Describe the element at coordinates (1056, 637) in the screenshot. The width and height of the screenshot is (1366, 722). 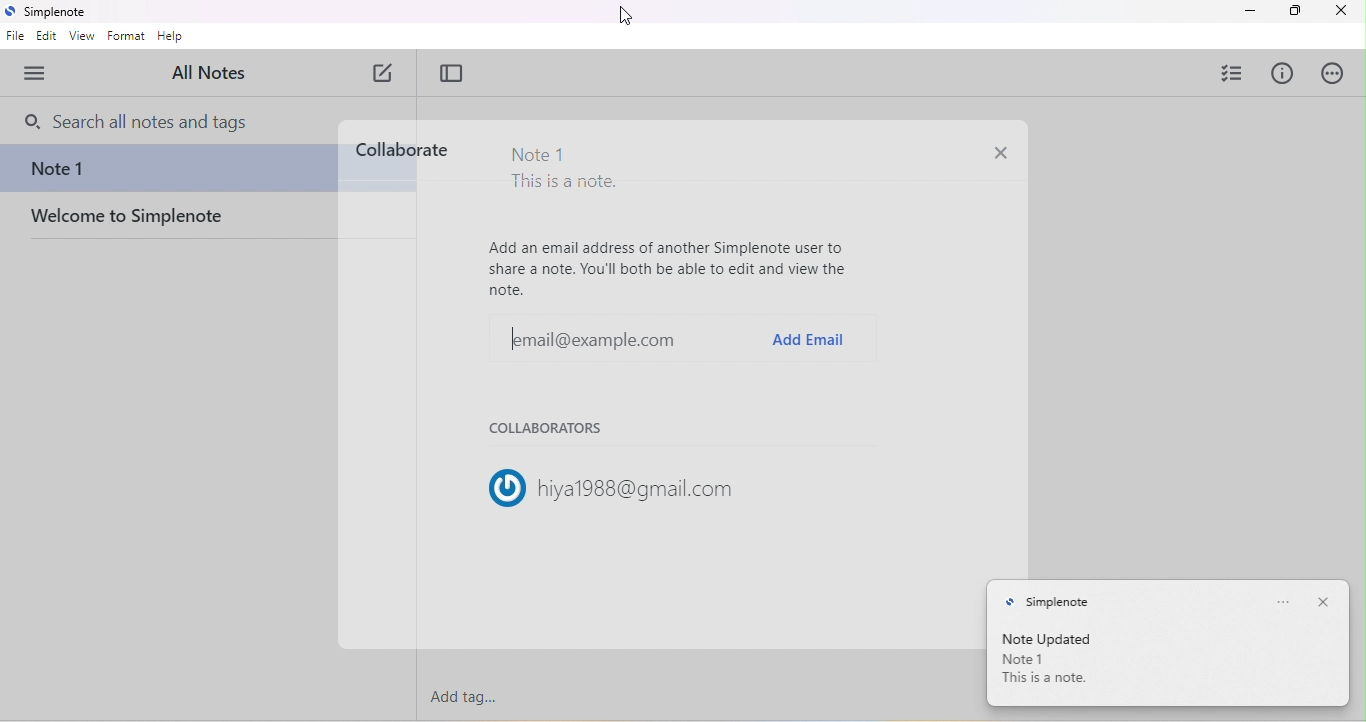
I see `note updated` at that location.